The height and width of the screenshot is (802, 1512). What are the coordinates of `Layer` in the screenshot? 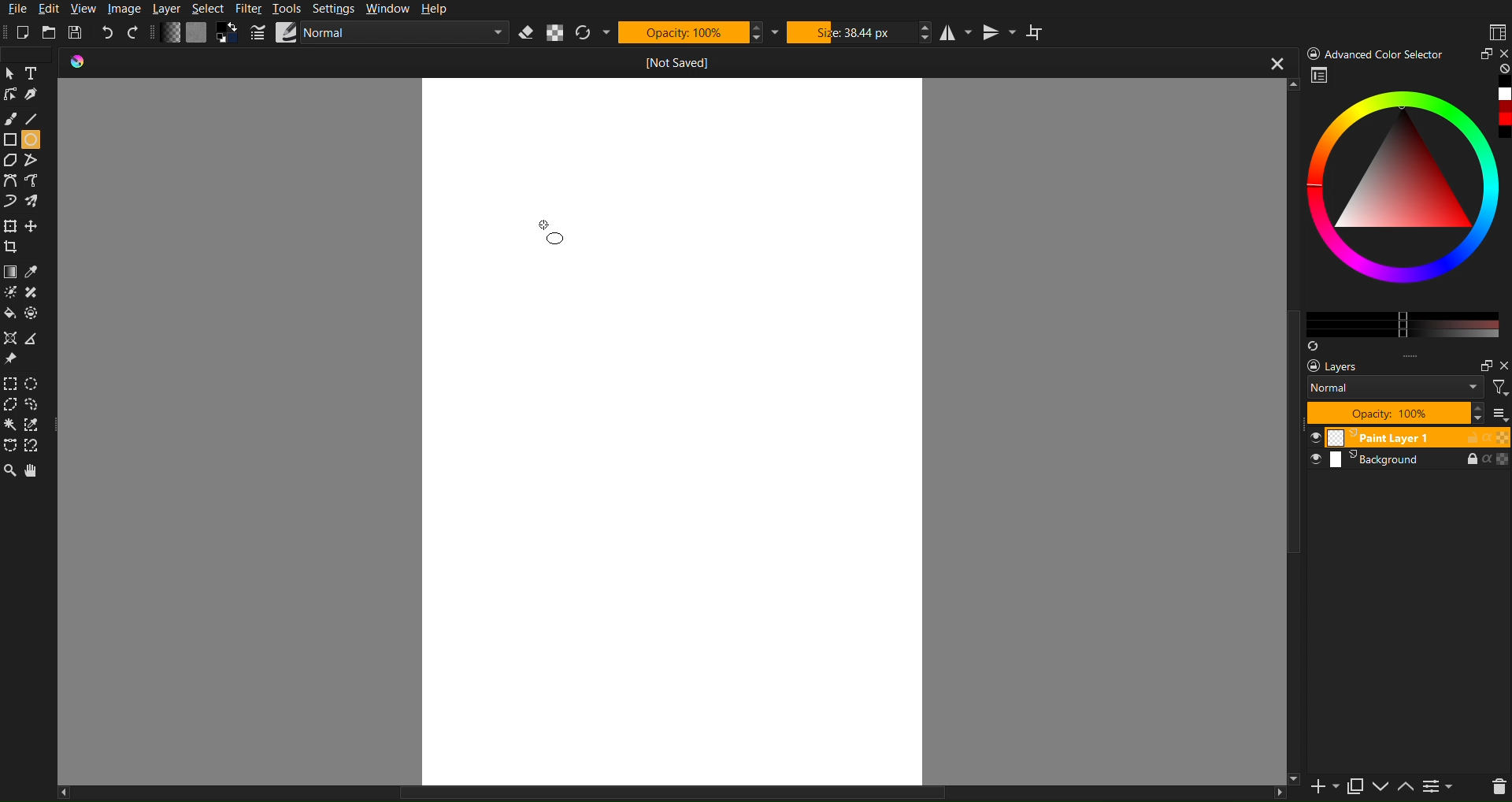 It's located at (169, 9).